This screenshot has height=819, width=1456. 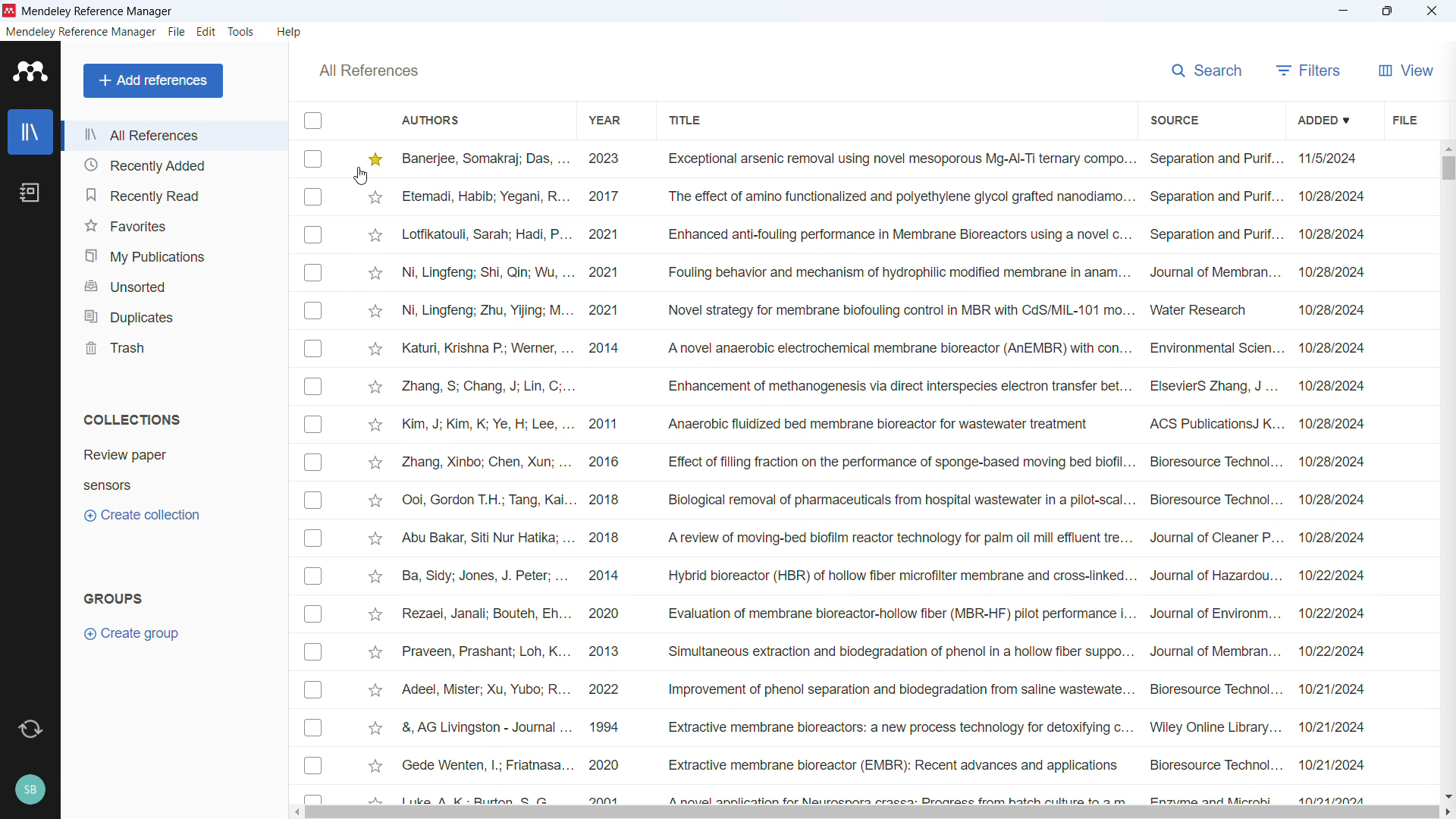 I want to click on Maximise , so click(x=1387, y=11).